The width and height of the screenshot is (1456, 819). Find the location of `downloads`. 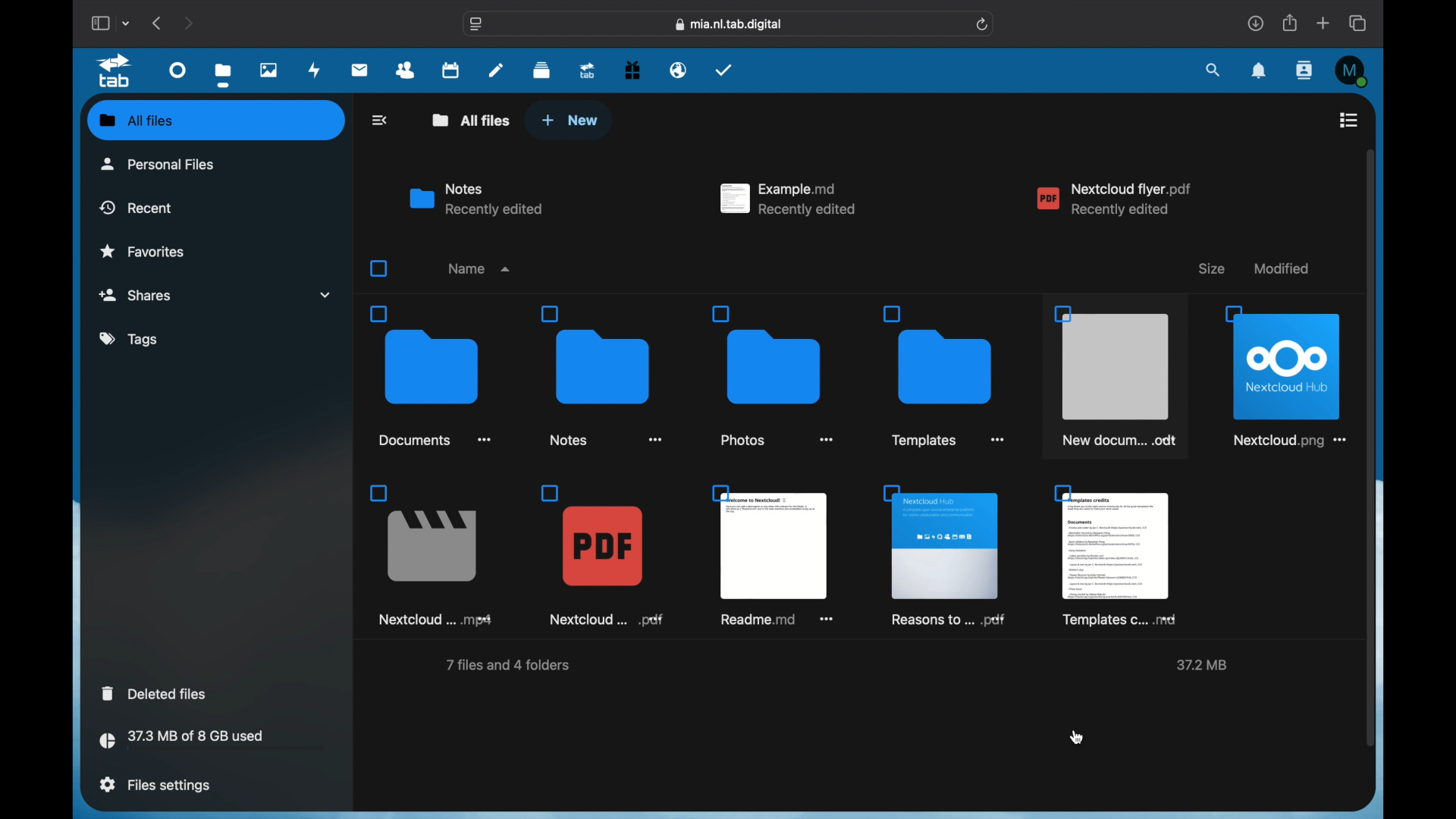

downloads is located at coordinates (1255, 23).